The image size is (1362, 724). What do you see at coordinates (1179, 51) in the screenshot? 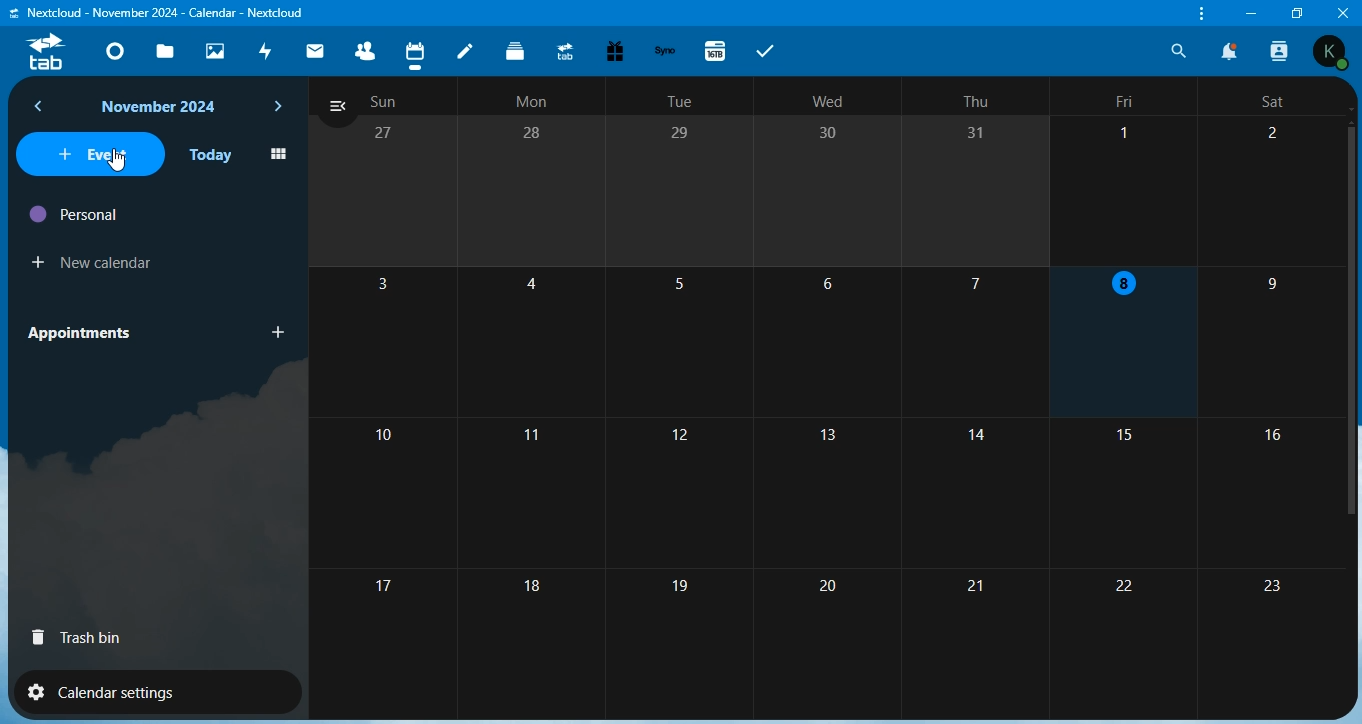
I see `search` at bounding box center [1179, 51].